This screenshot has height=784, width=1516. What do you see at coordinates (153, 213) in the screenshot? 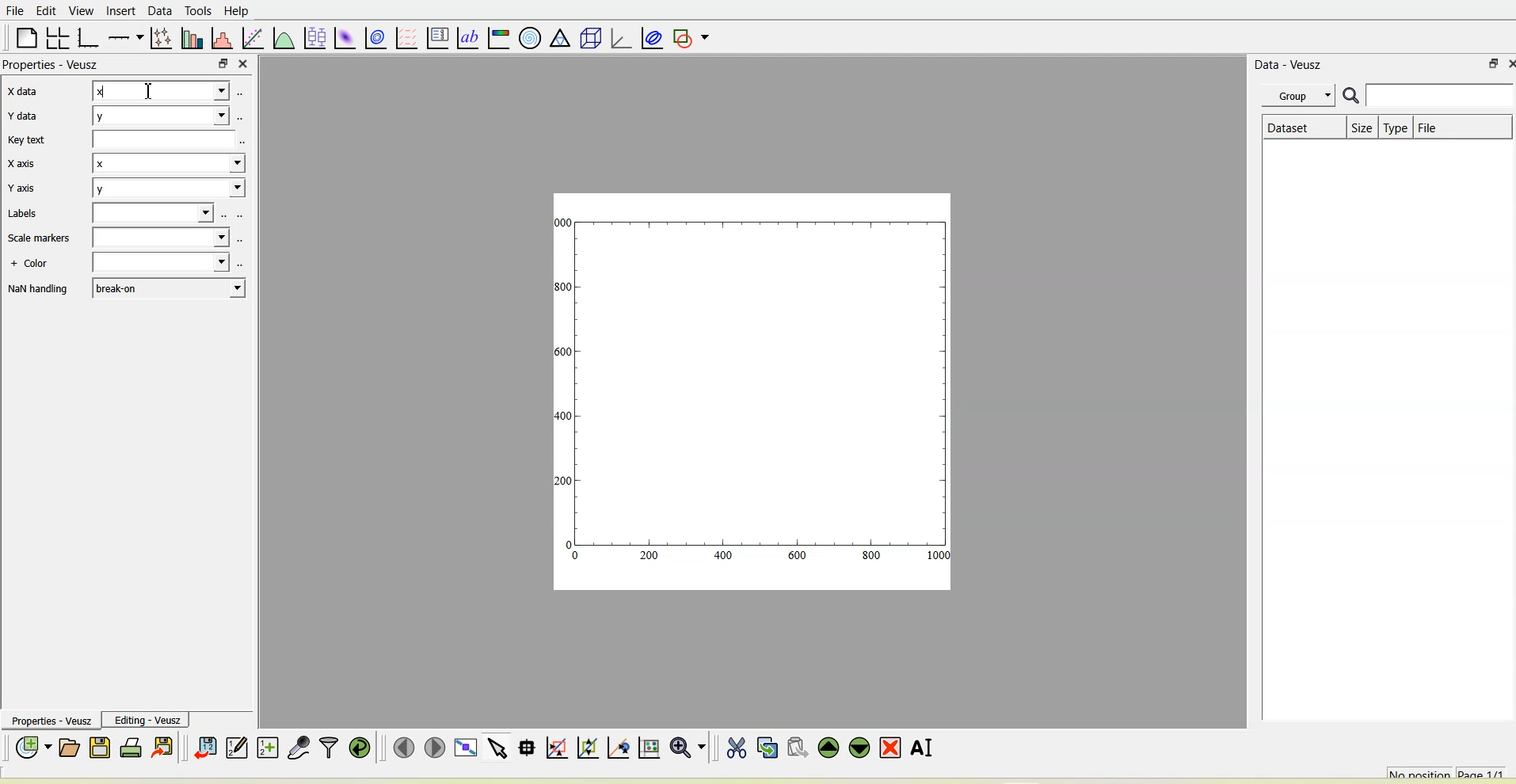
I see `select using dataset browser` at bounding box center [153, 213].